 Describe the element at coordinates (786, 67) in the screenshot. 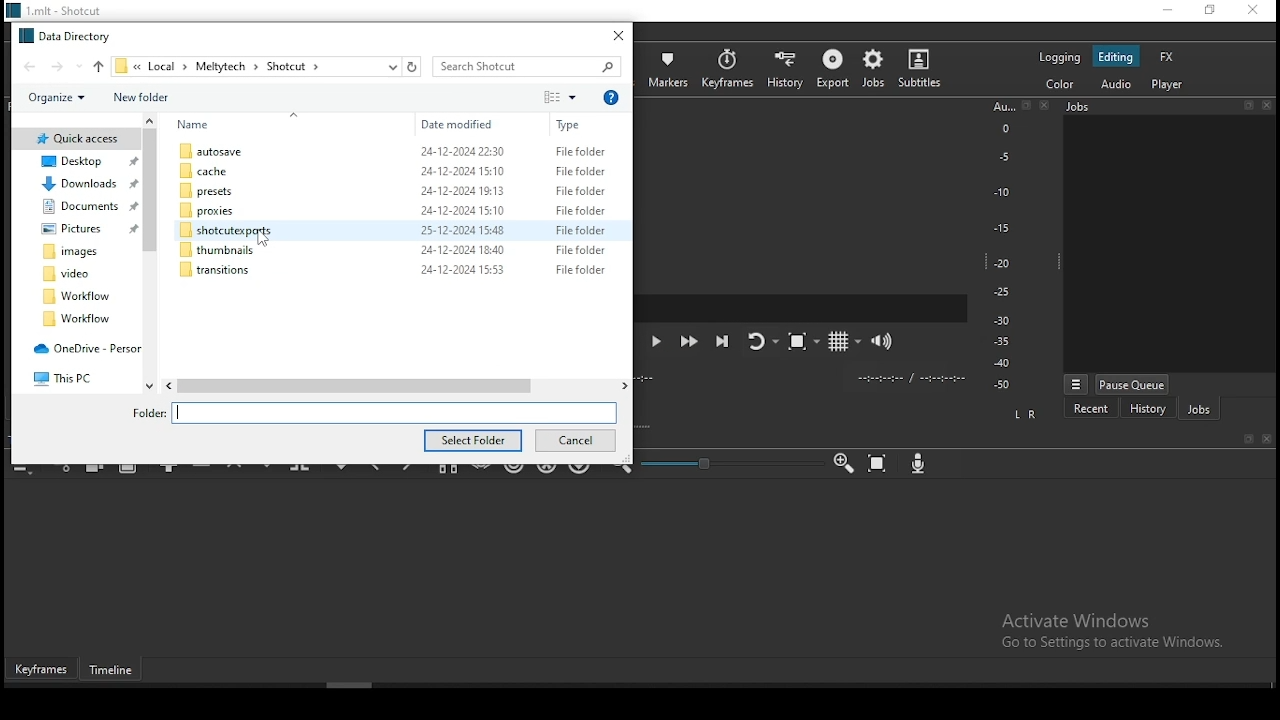

I see `history` at that location.